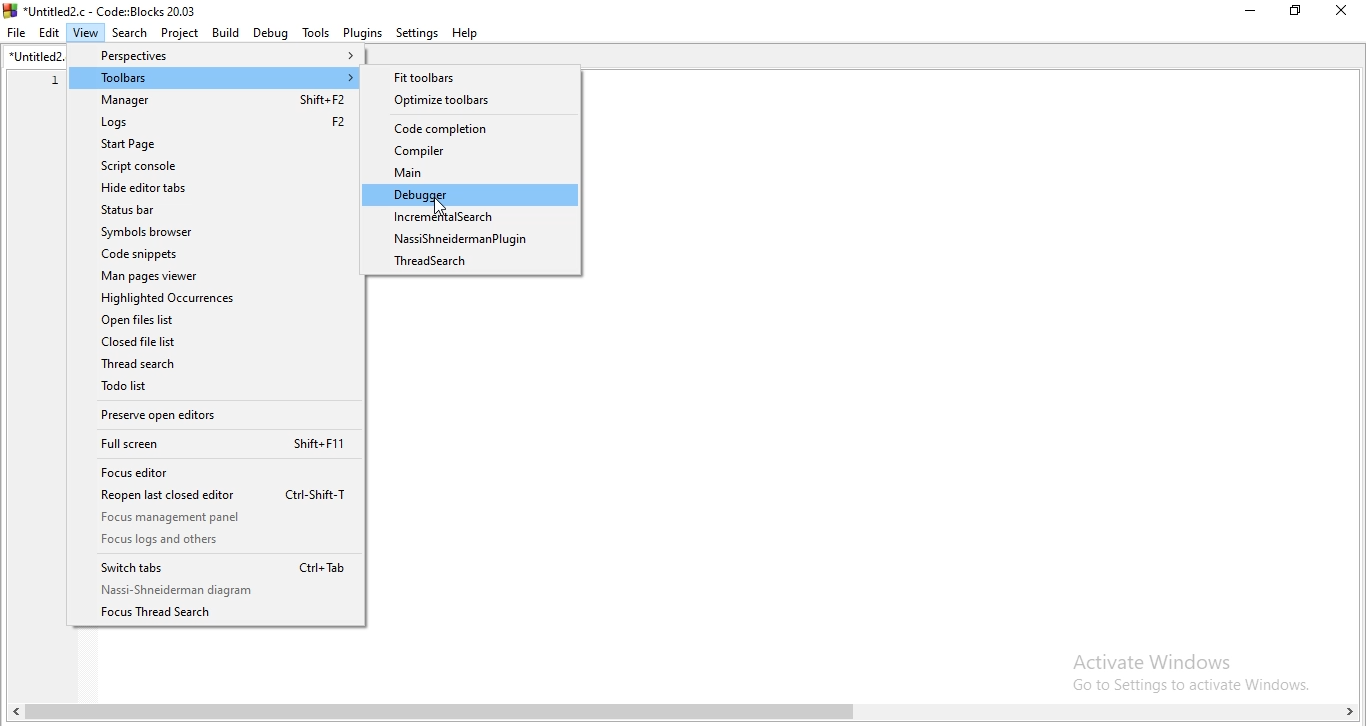 This screenshot has width=1366, height=726. Describe the element at coordinates (226, 33) in the screenshot. I see `Build ` at that location.